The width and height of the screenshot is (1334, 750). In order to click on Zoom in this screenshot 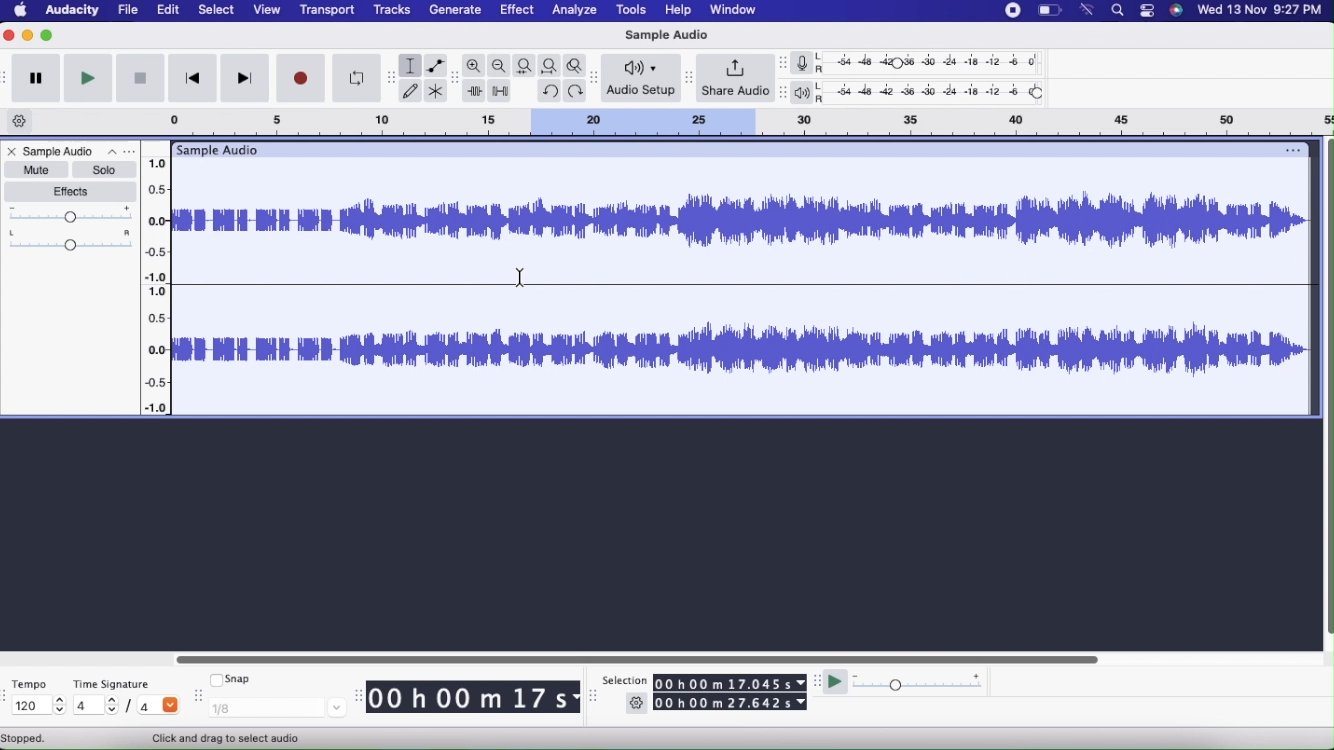, I will do `click(475, 66)`.